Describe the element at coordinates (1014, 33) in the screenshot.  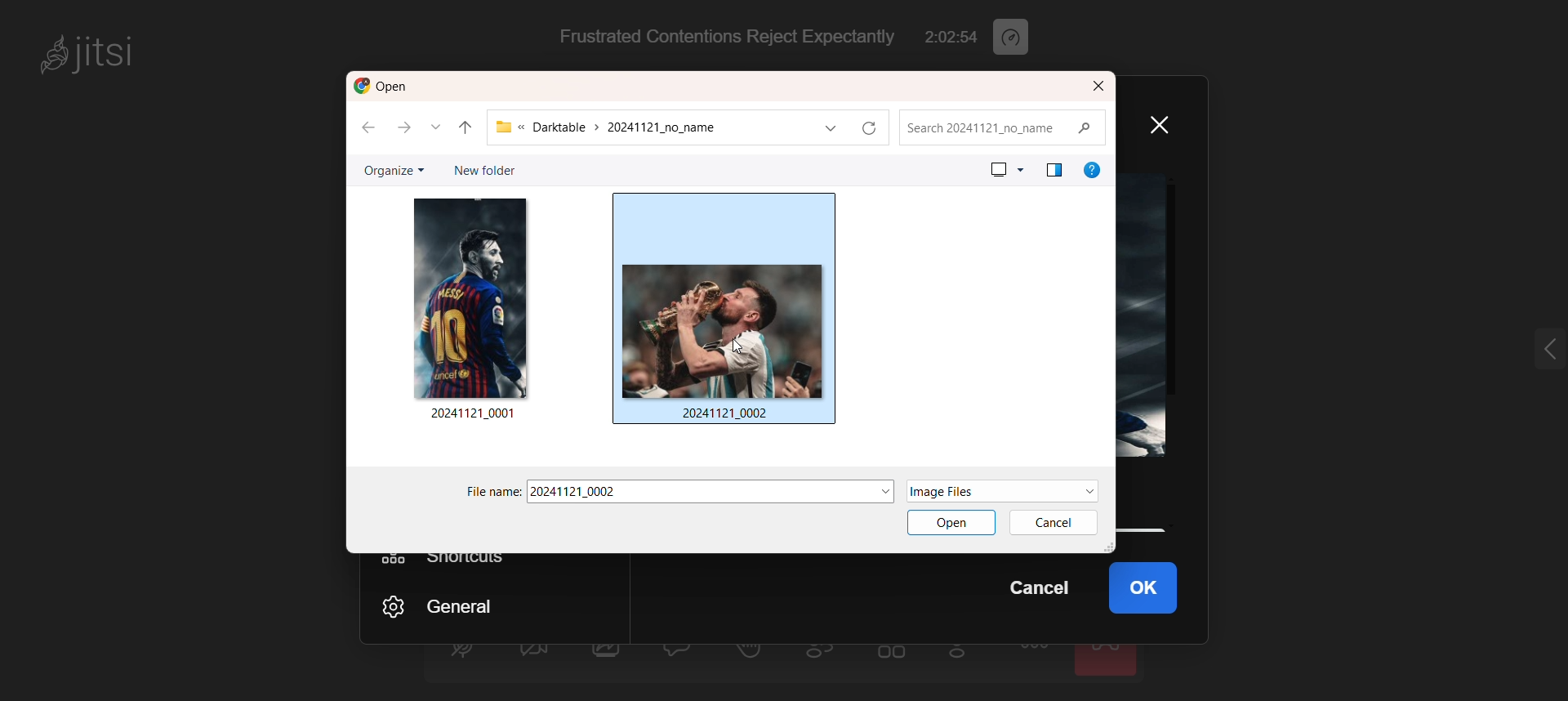
I see `performance setting` at that location.